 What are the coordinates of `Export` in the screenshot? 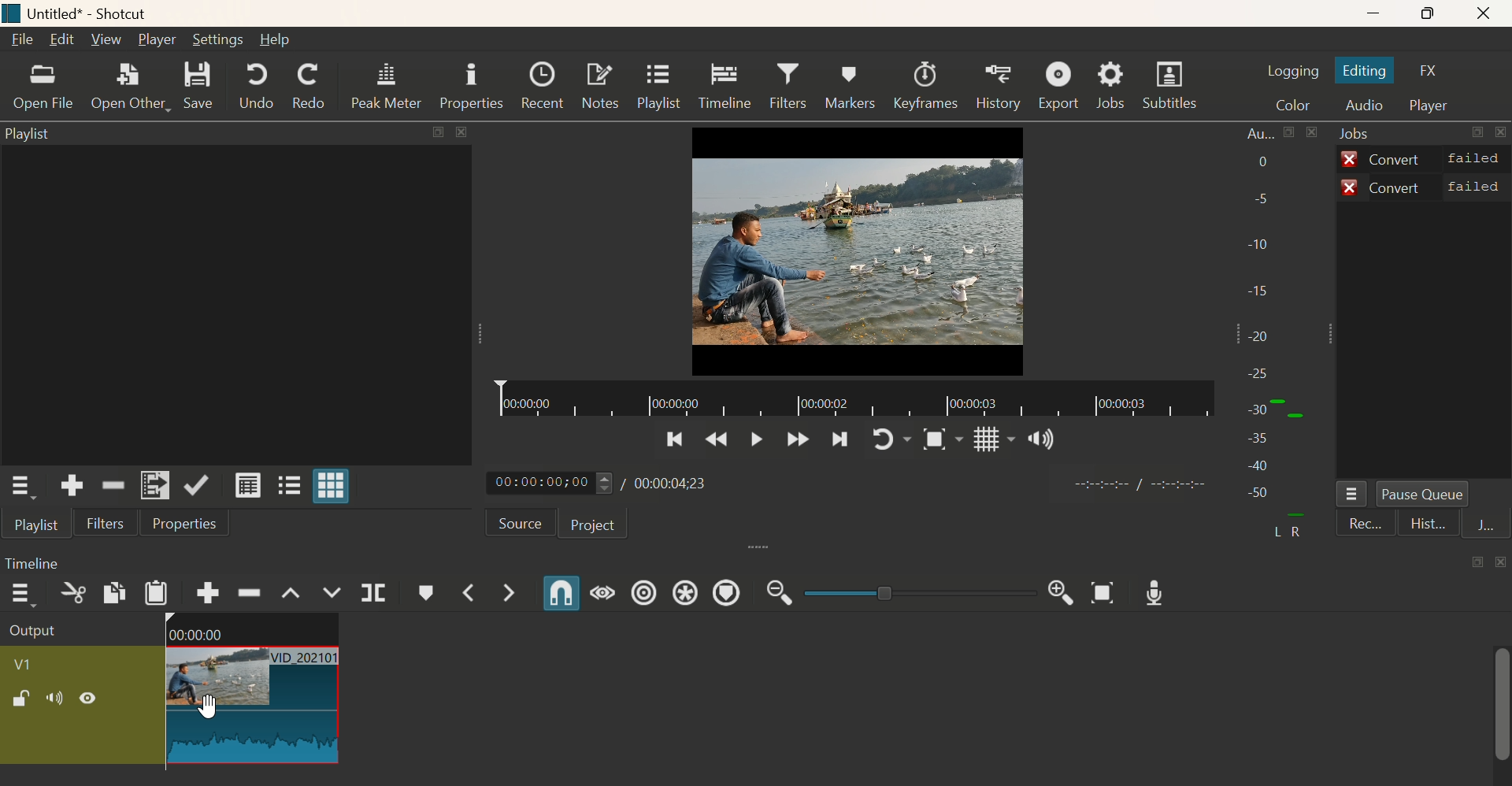 It's located at (1061, 87).